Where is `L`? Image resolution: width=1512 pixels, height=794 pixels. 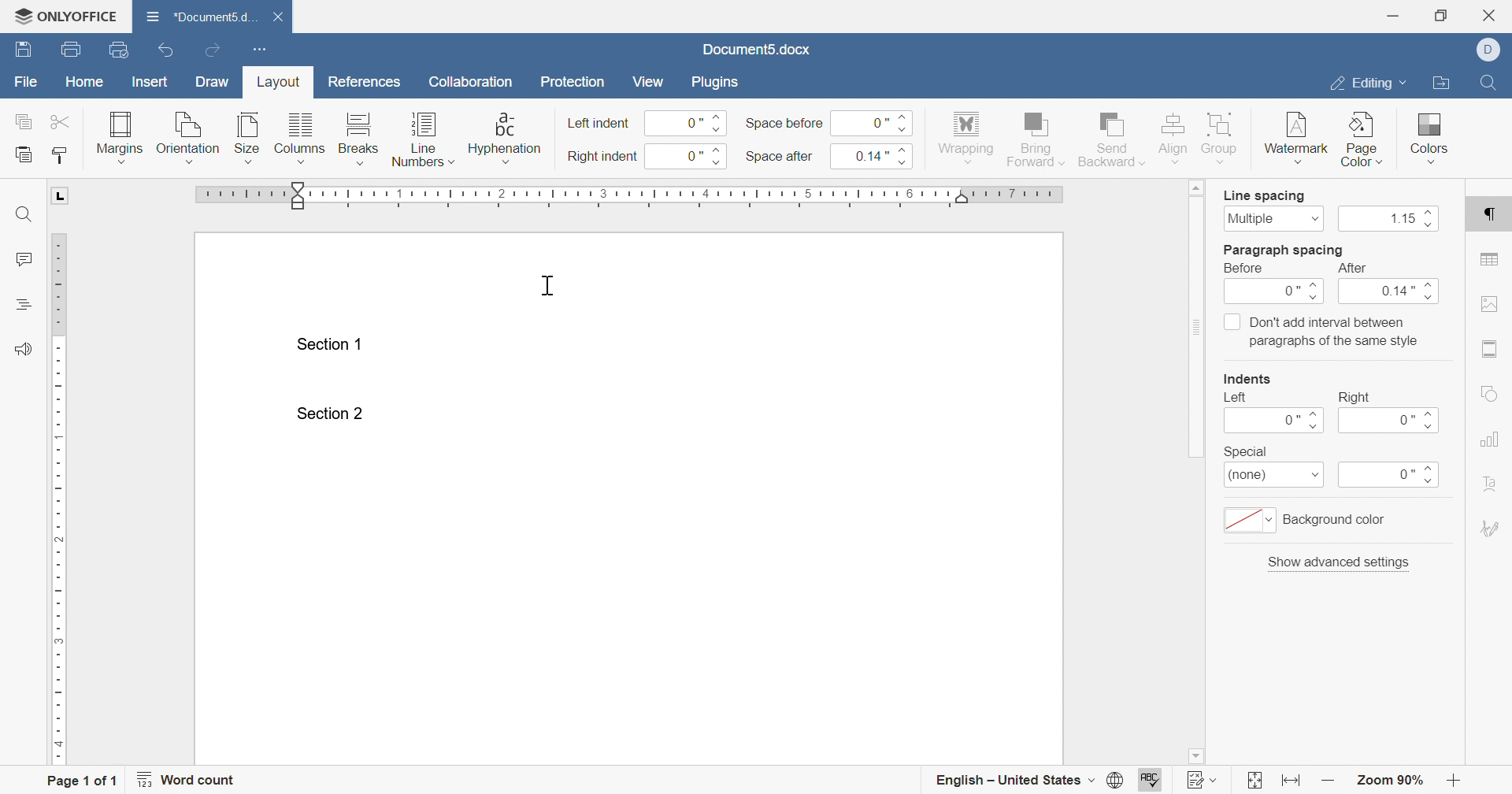
L is located at coordinates (61, 196).